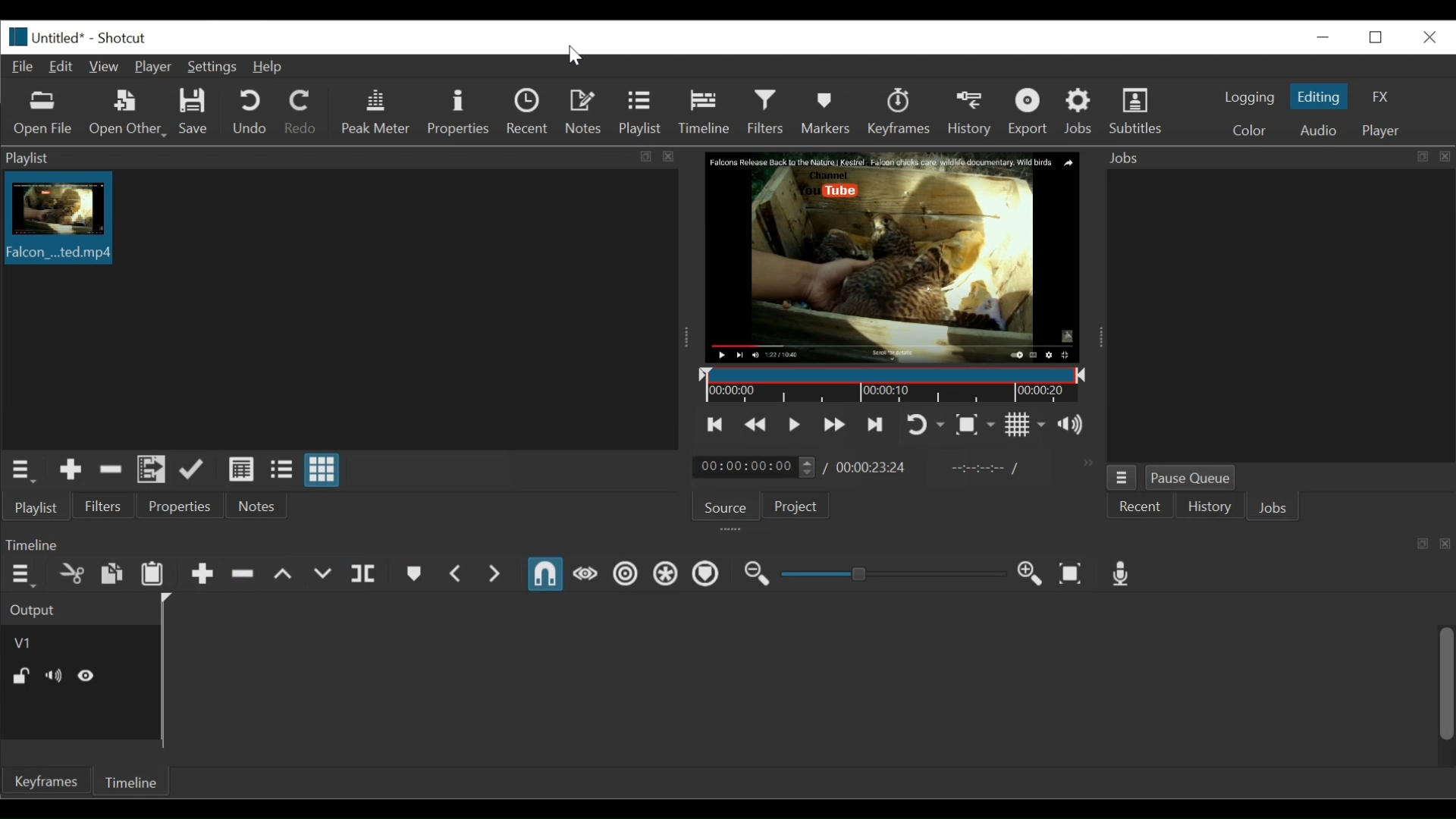 This screenshot has height=819, width=1456. Describe the element at coordinates (107, 508) in the screenshot. I see `Filters` at that location.